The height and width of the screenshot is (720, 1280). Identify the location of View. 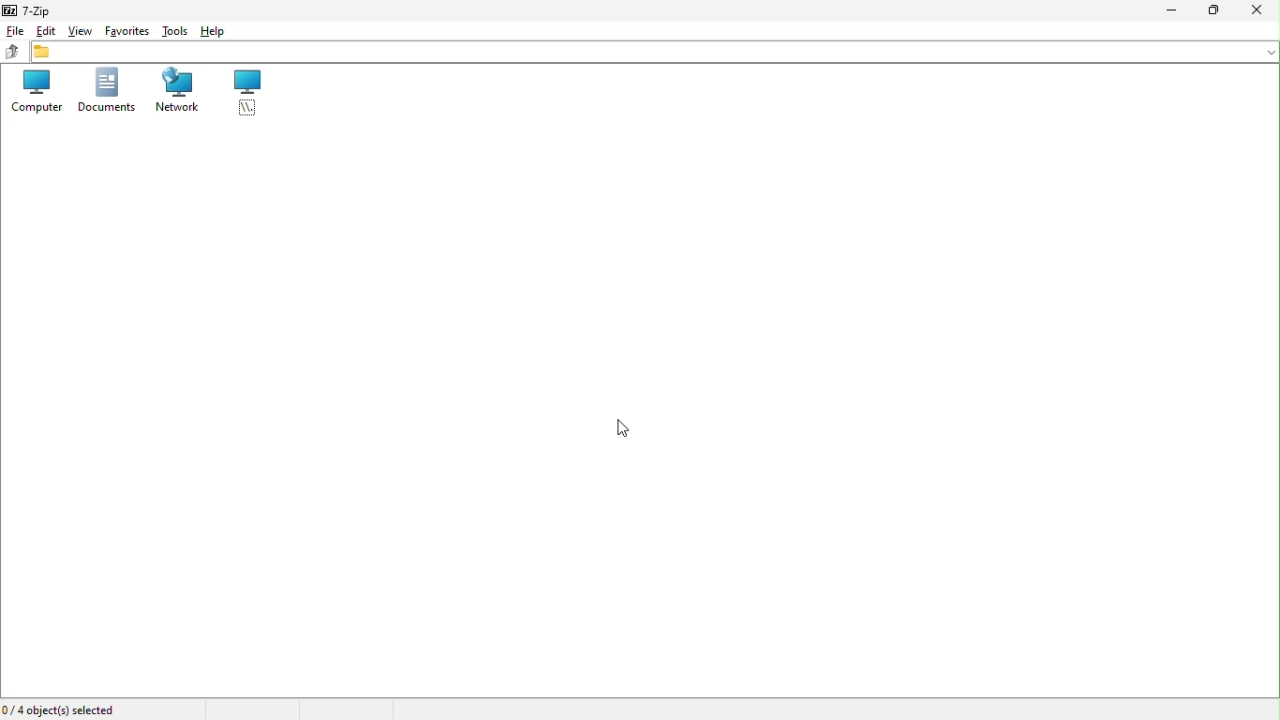
(81, 30).